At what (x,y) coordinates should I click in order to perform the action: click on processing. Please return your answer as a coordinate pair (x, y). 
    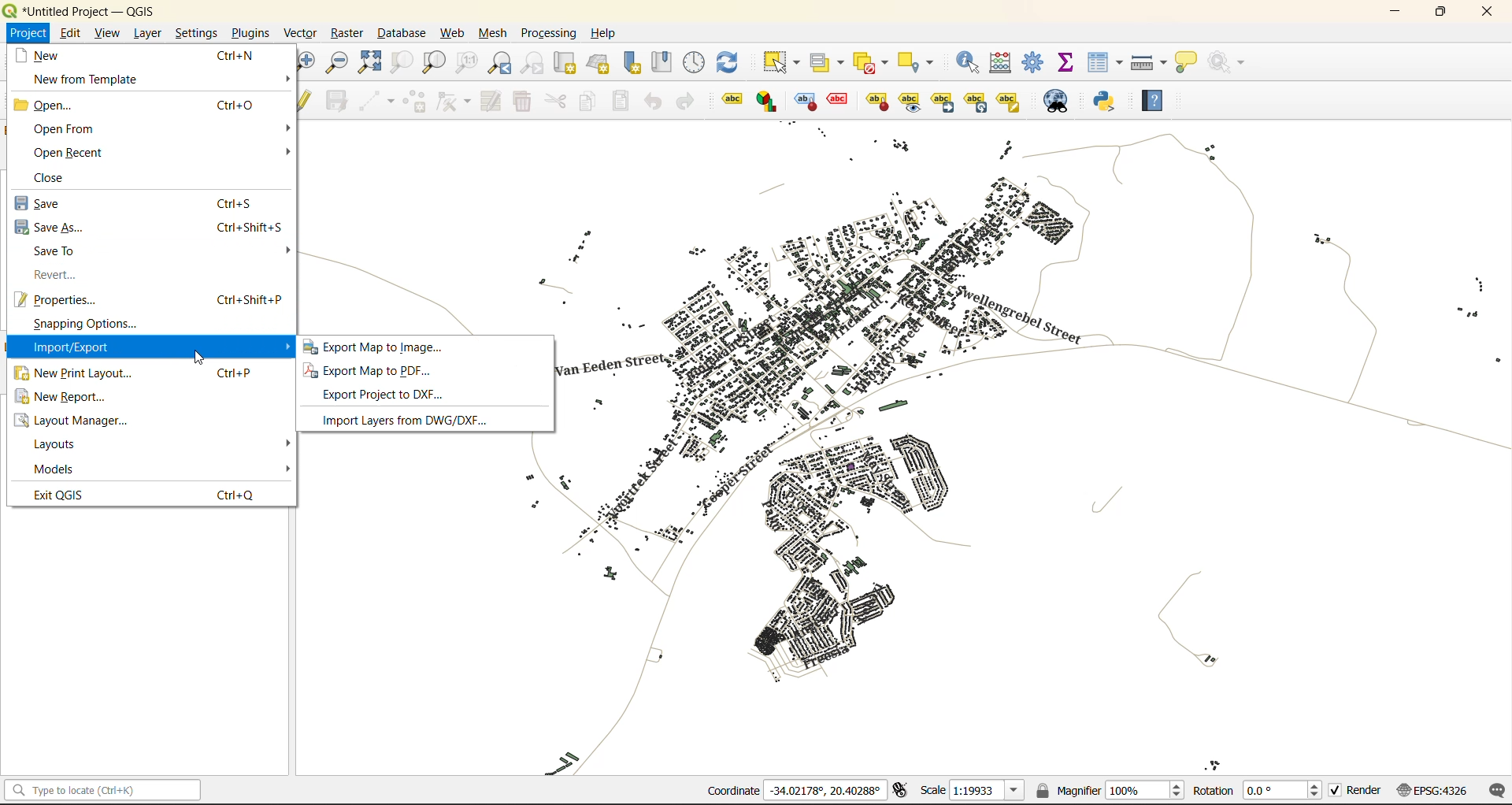
    Looking at the image, I should click on (551, 35).